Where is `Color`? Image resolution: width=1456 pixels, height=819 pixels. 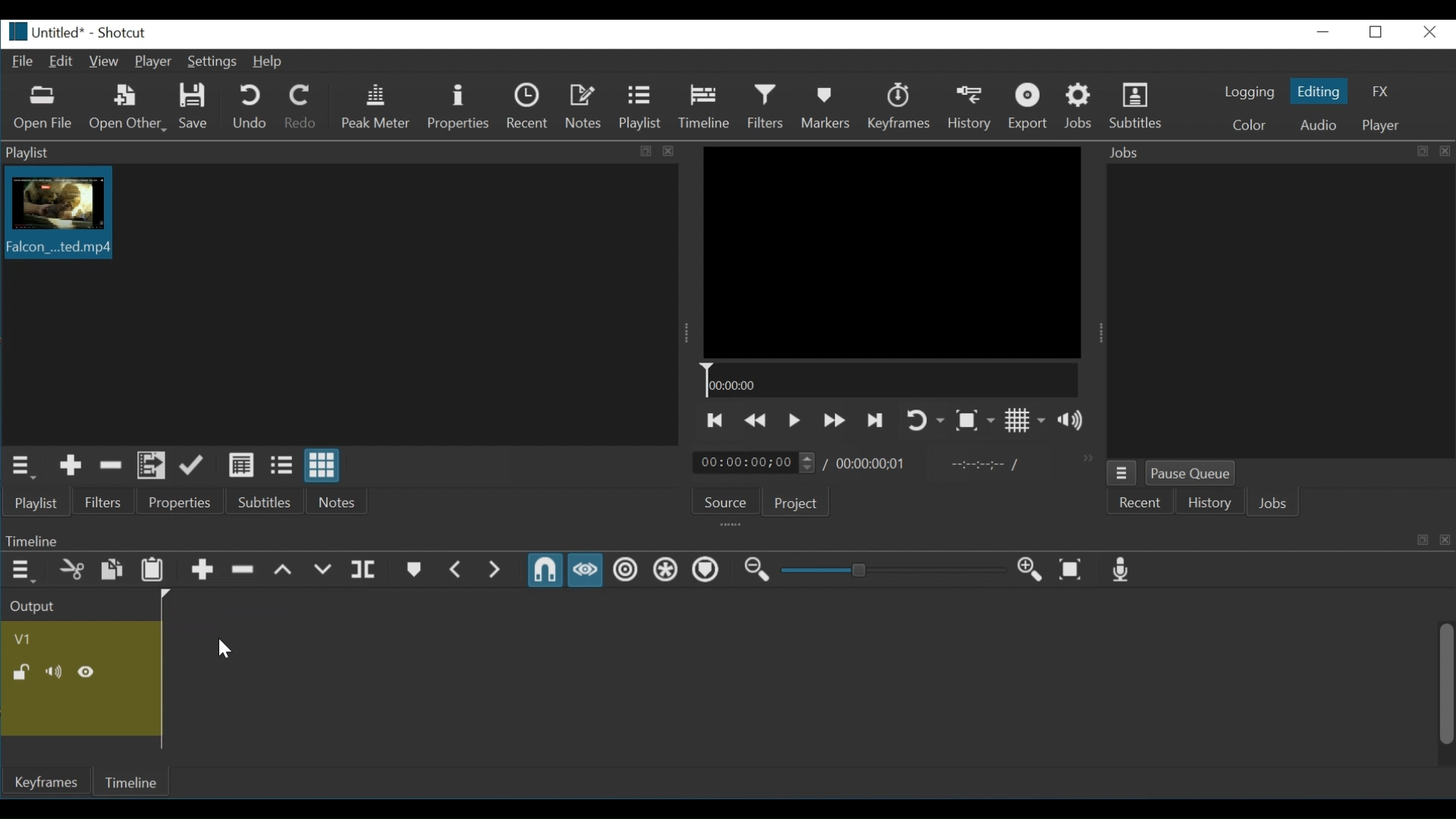
Color is located at coordinates (1250, 124).